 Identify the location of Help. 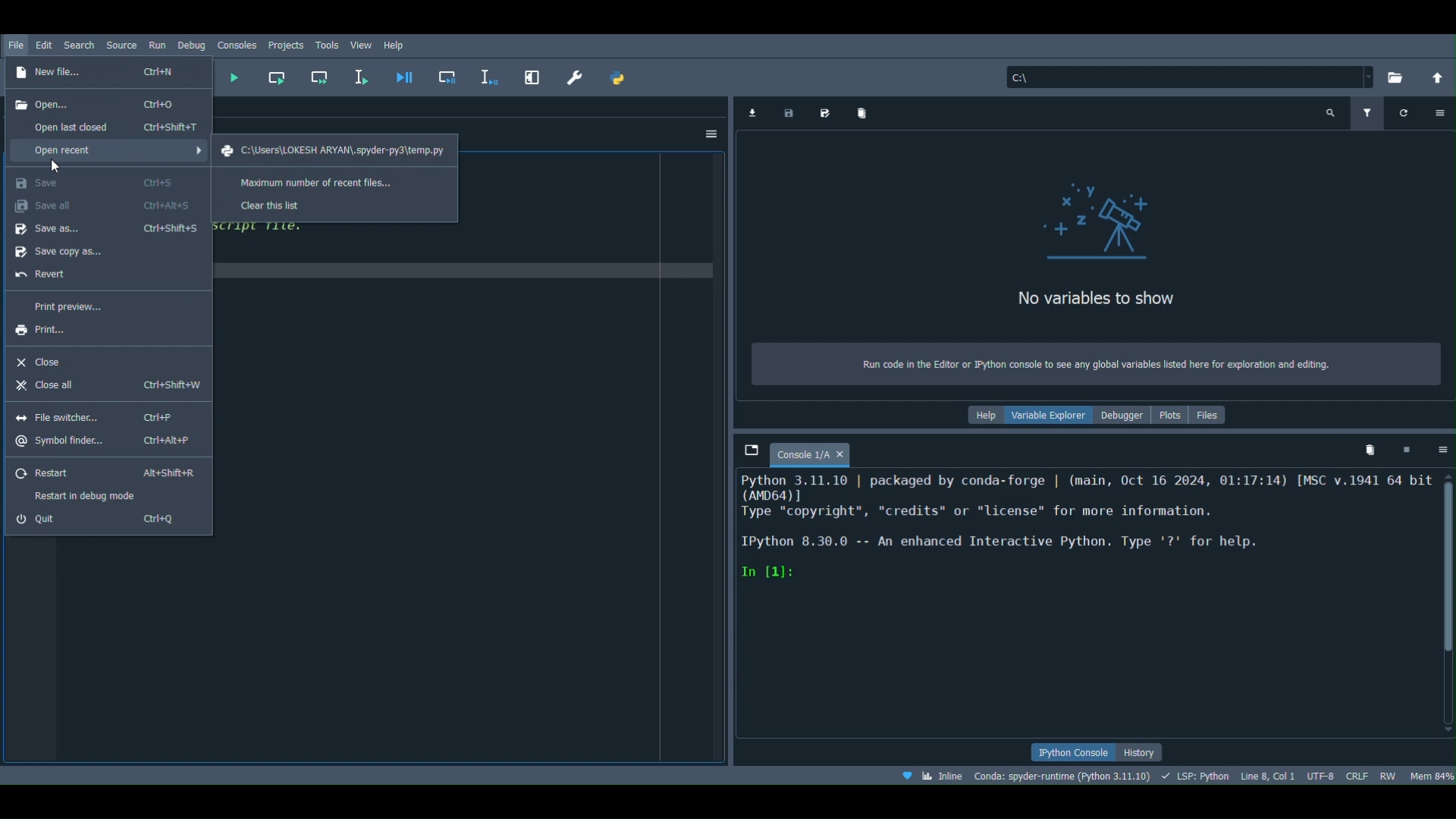
(401, 42).